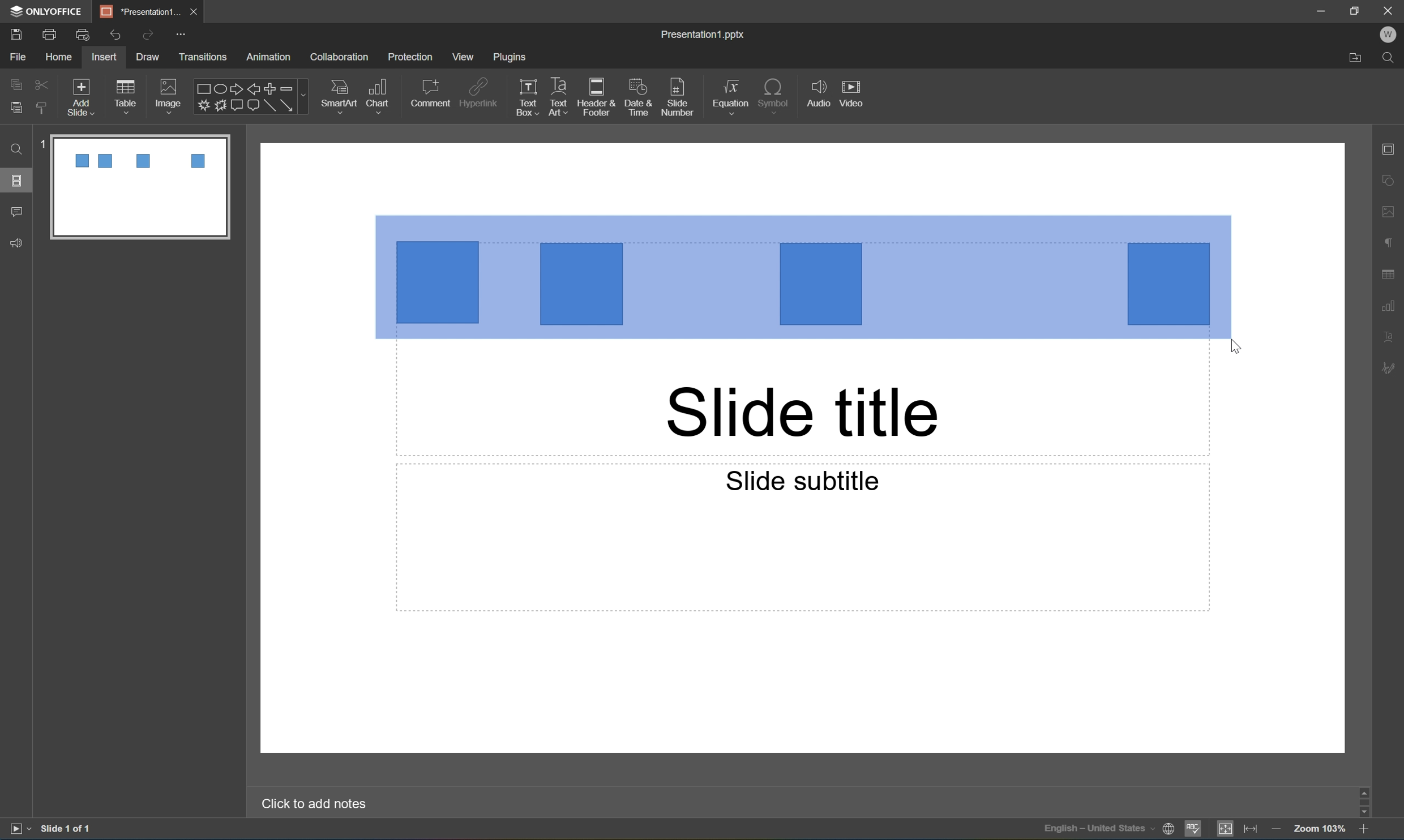  I want to click on restore down, so click(1356, 8).